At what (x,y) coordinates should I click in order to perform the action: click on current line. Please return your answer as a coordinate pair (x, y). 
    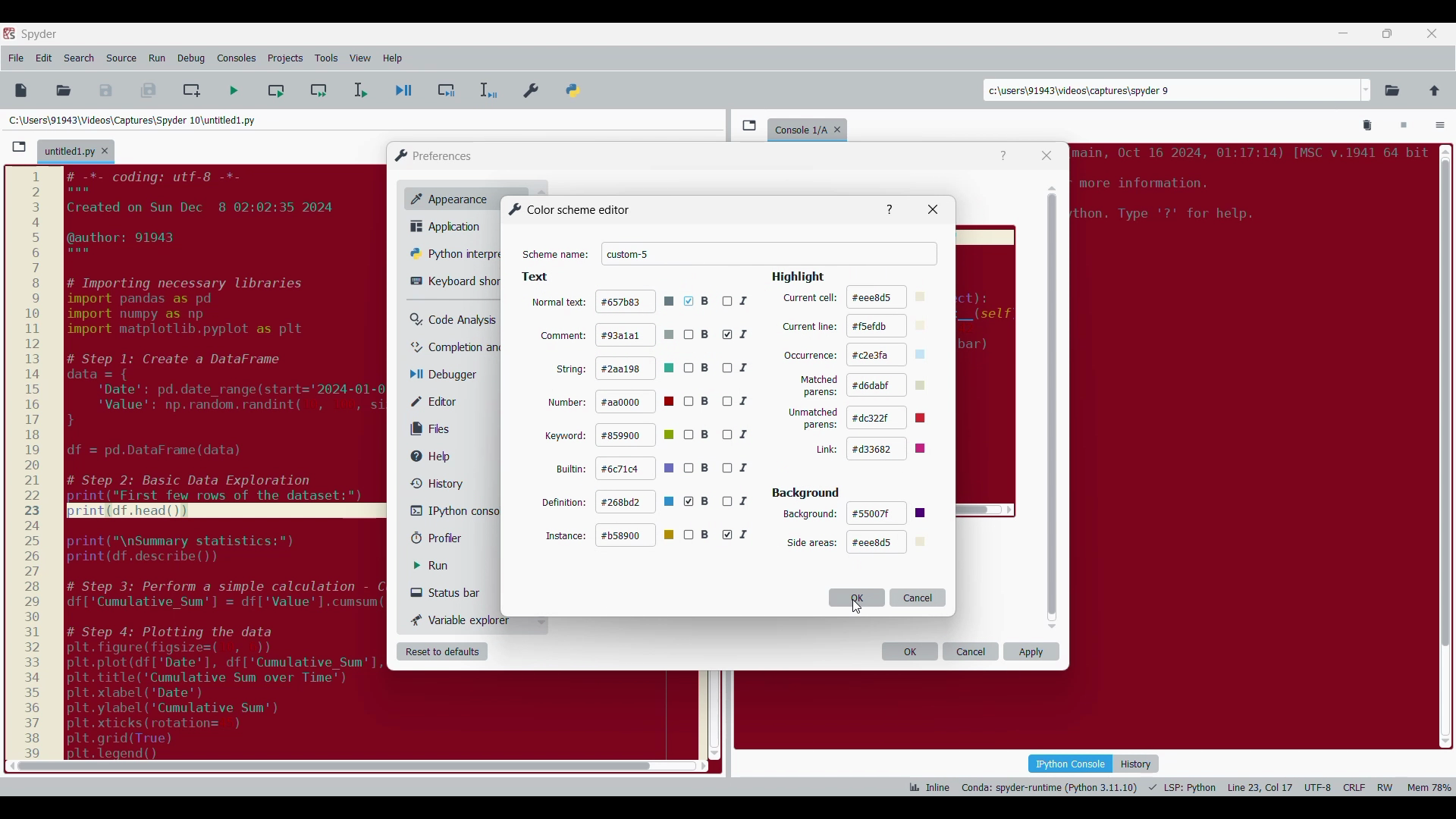
    Looking at the image, I should click on (809, 327).